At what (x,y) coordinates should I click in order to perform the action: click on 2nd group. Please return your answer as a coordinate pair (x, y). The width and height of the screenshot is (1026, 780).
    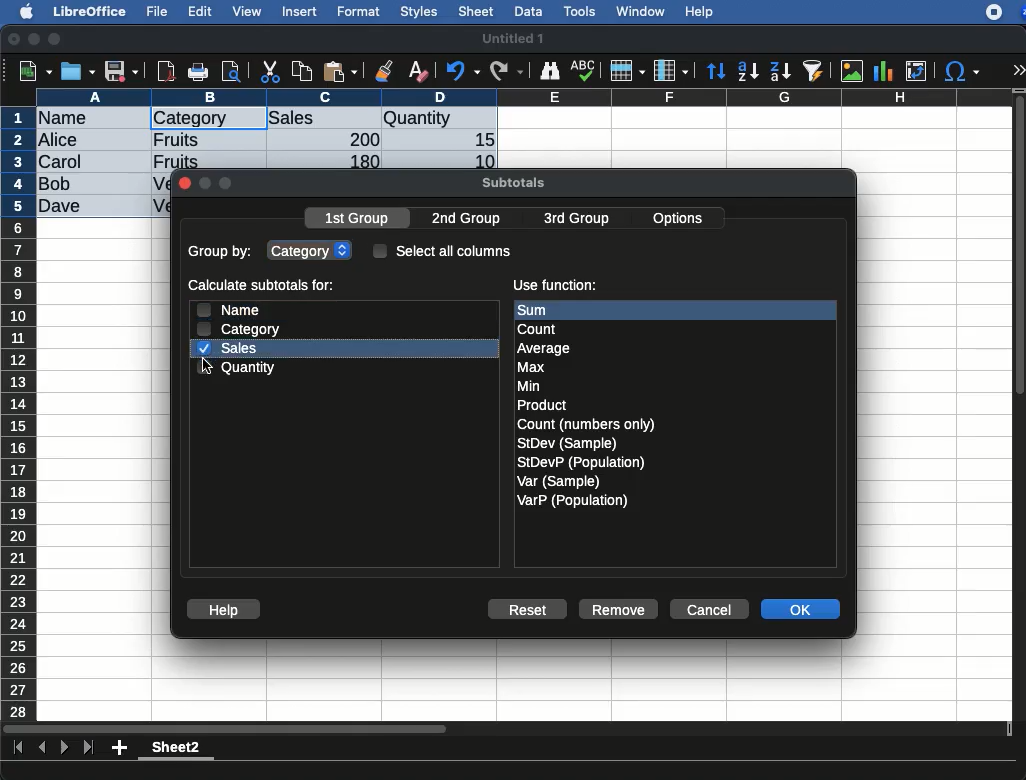
    Looking at the image, I should click on (471, 219).